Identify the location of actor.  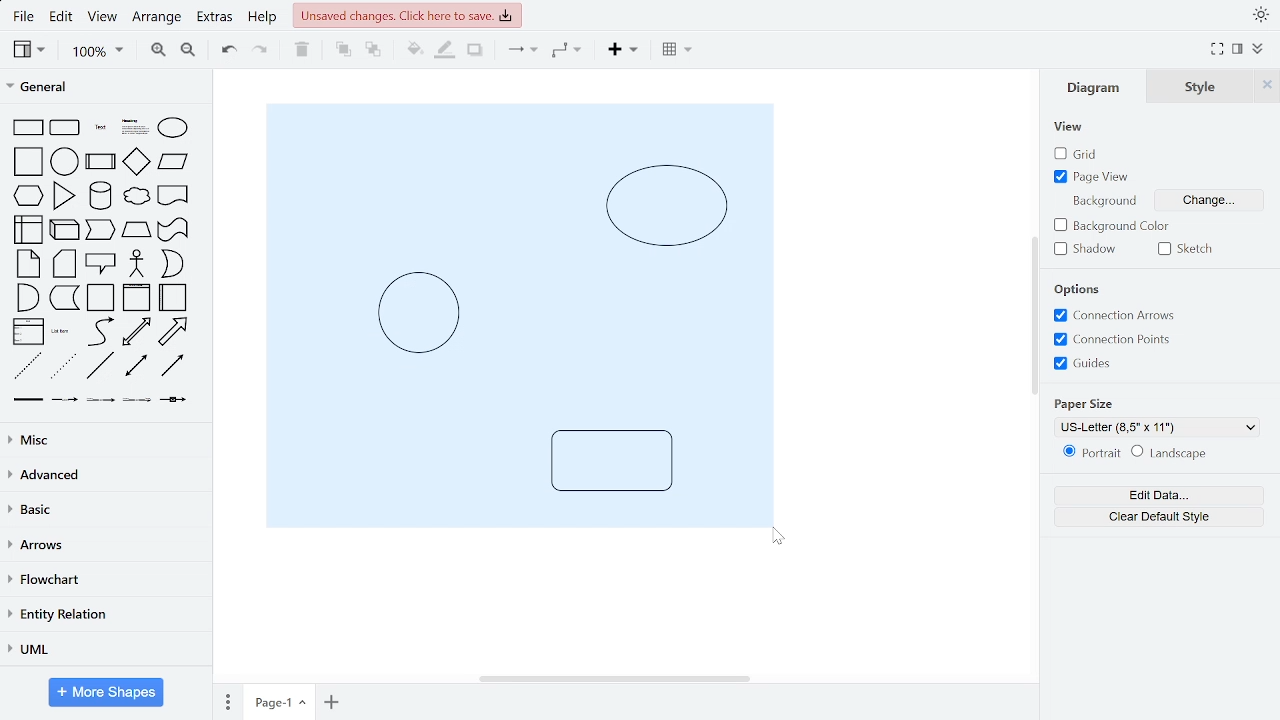
(137, 264).